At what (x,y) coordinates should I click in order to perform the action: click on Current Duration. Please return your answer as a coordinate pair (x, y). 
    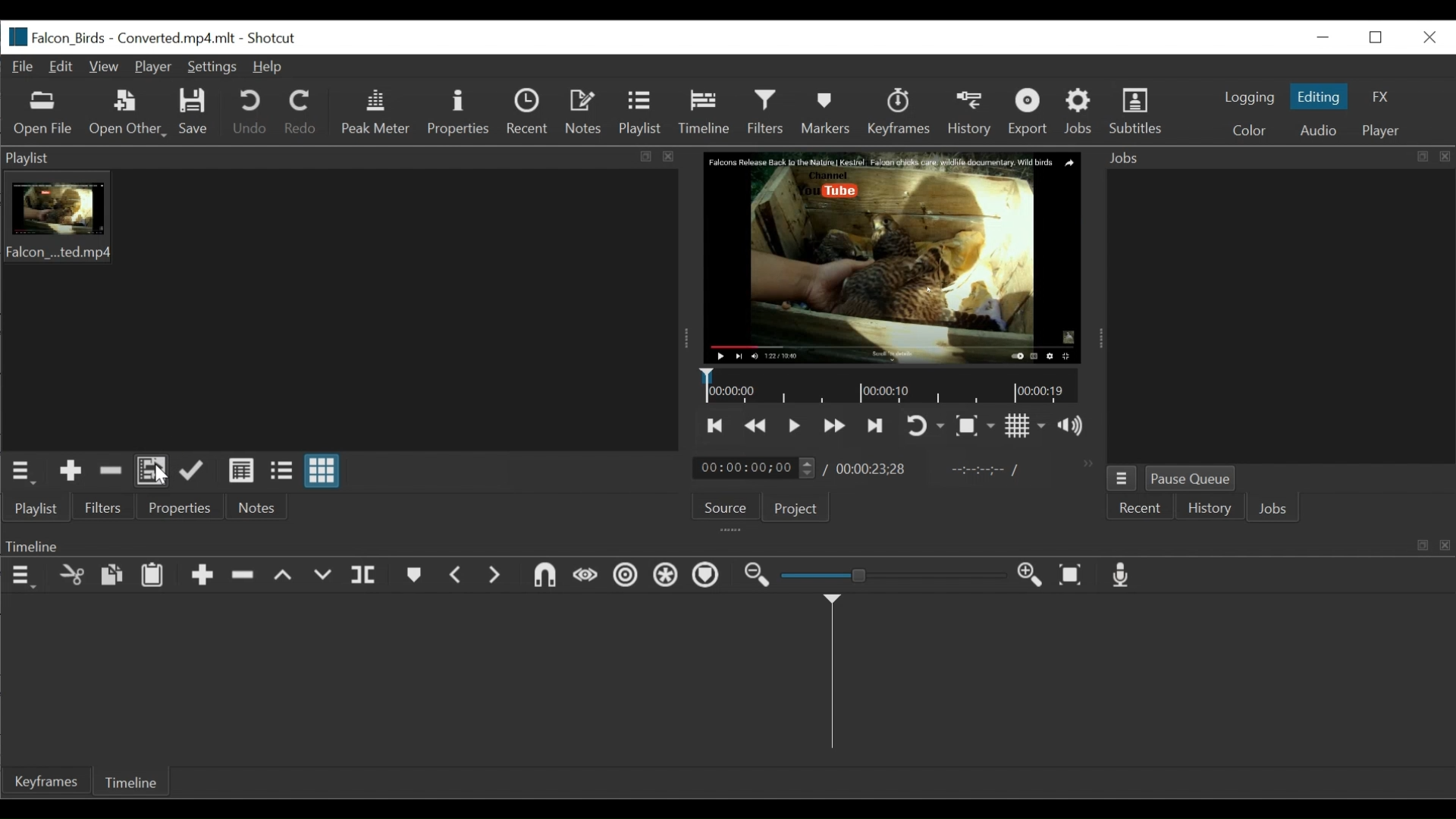
    Looking at the image, I should click on (756, 468).